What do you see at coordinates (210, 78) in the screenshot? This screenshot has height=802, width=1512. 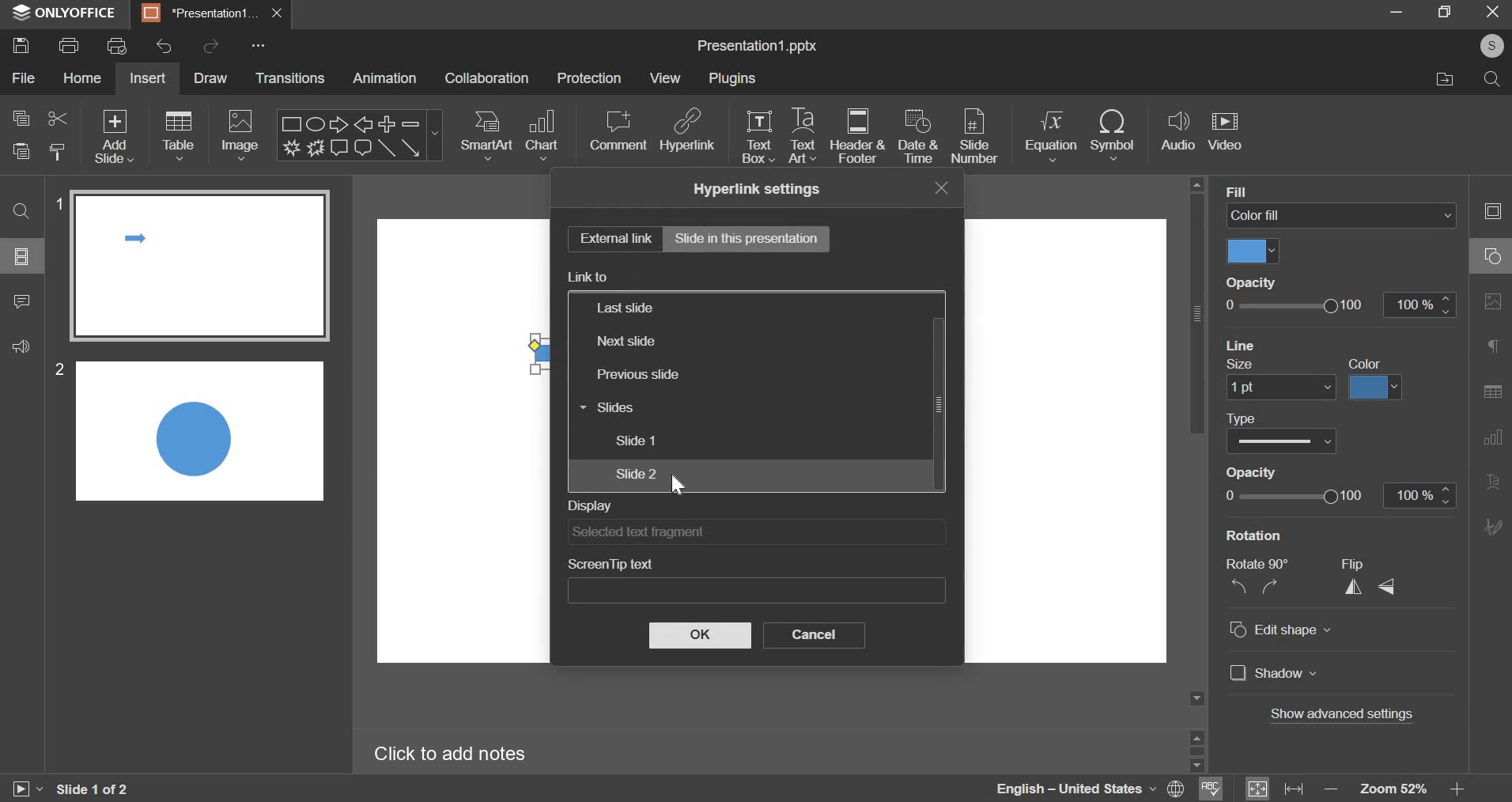 I see `draw` at bounding box center [210, 78].